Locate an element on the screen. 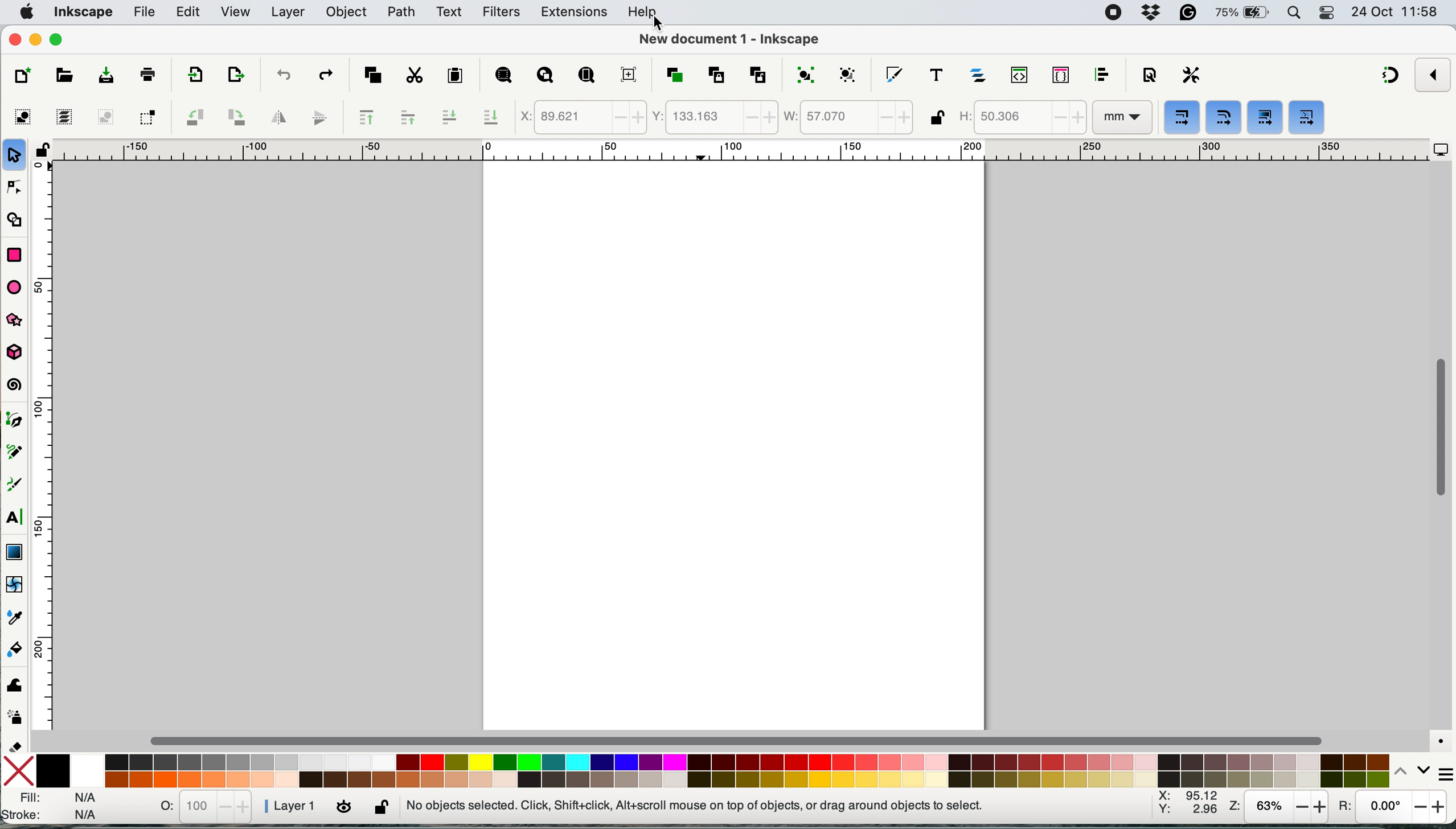 This screenshot has height=829, width=1456. flip horizontally is located at coordinates (274, 117).